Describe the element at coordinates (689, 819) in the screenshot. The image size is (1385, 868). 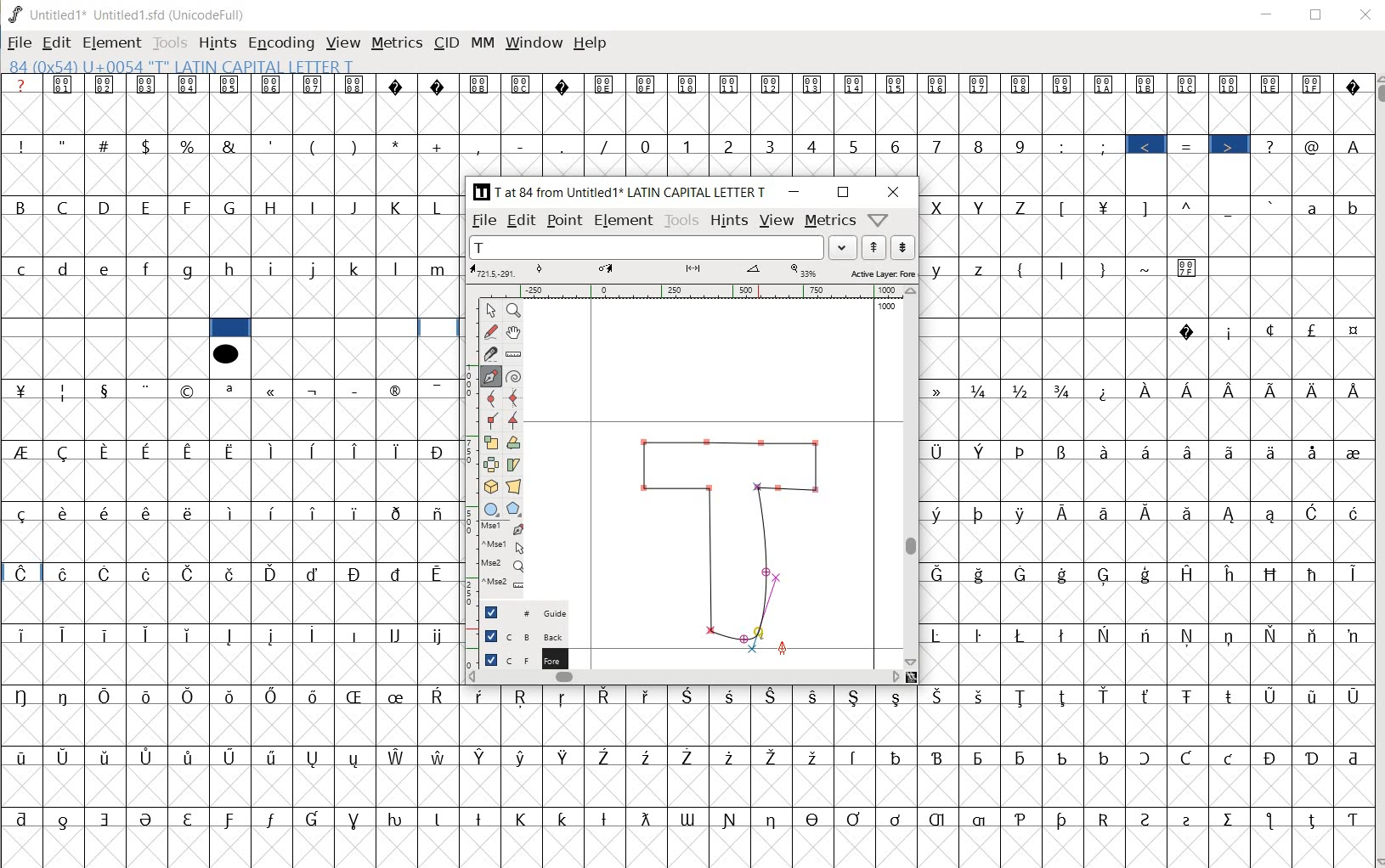
I see `Symbol` at that location.